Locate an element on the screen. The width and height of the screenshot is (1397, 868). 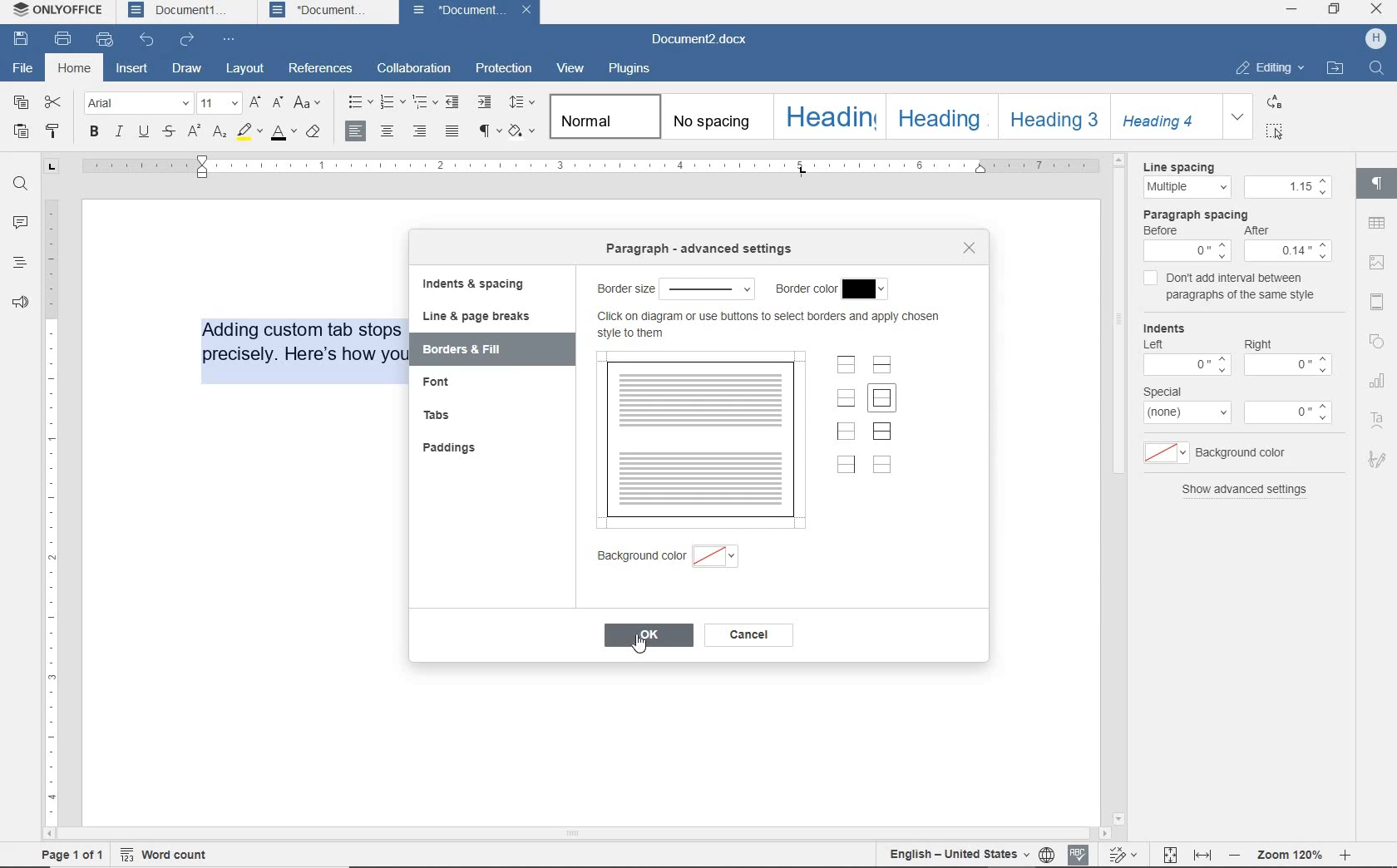
Show advanced settings is located at coordinates (1254, 496).